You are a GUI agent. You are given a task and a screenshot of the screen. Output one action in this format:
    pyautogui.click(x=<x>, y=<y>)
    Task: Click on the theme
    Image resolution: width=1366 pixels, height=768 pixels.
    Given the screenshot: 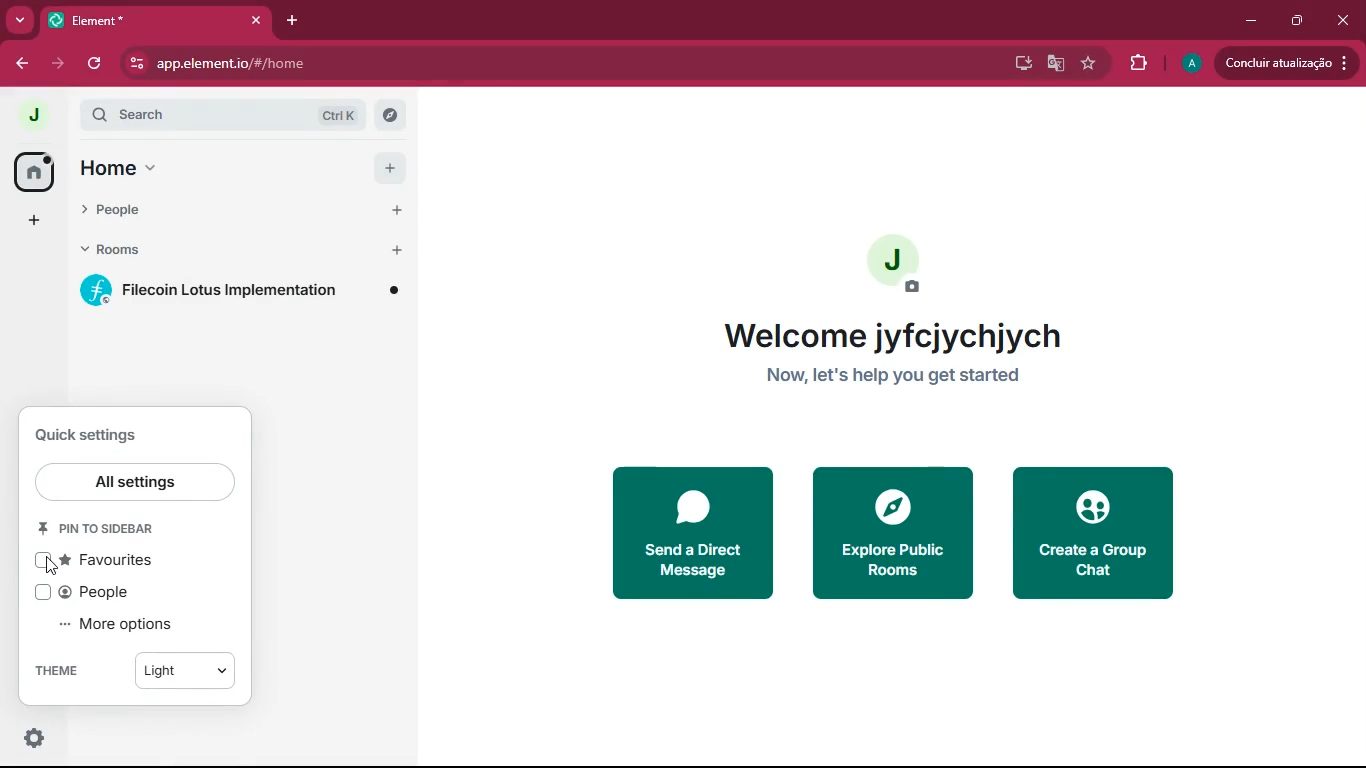 What is the action you would take?
    pyautogui.click(x=71, y=670)
    